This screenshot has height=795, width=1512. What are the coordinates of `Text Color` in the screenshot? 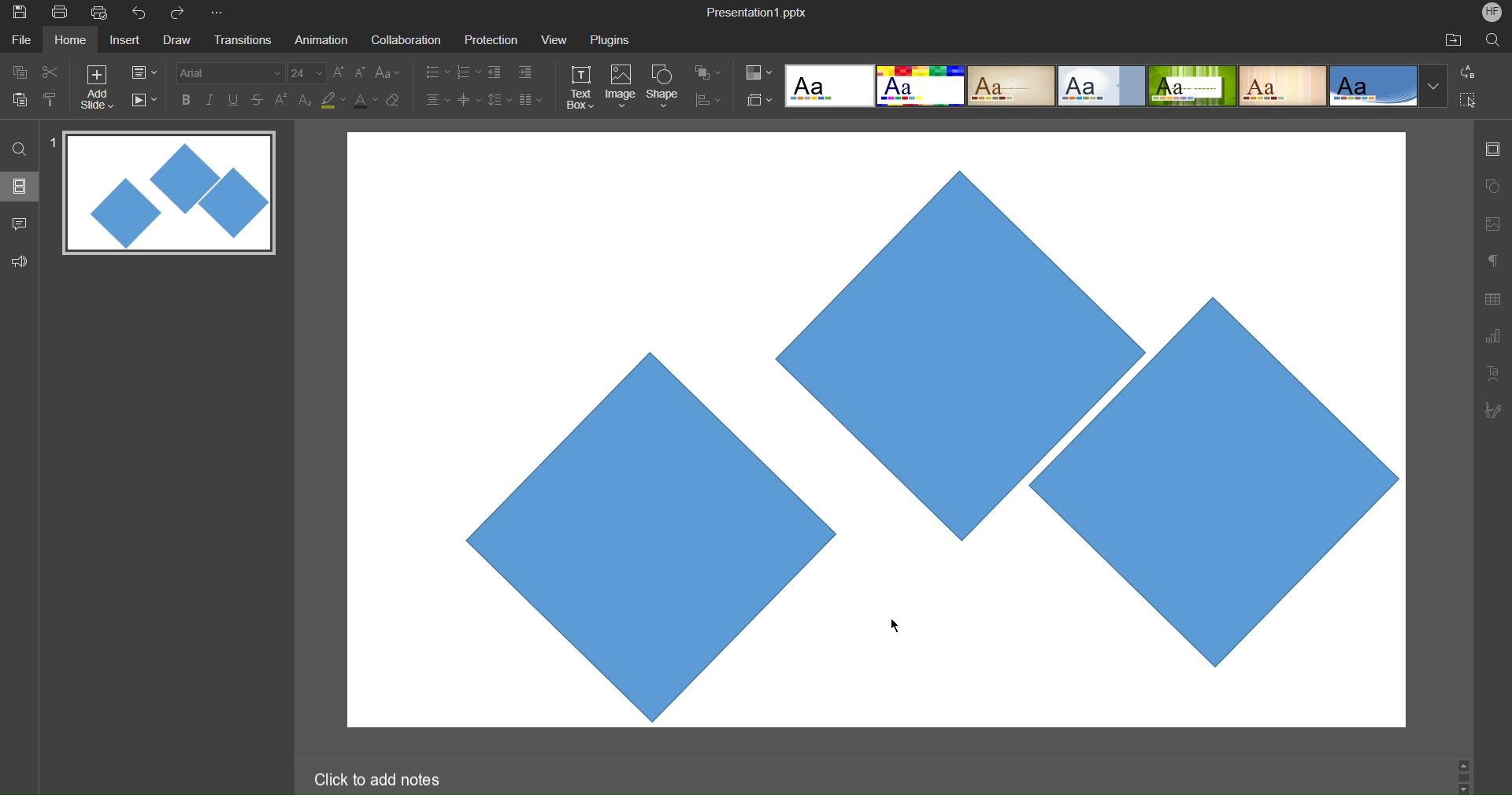 It's located at (365, 99).